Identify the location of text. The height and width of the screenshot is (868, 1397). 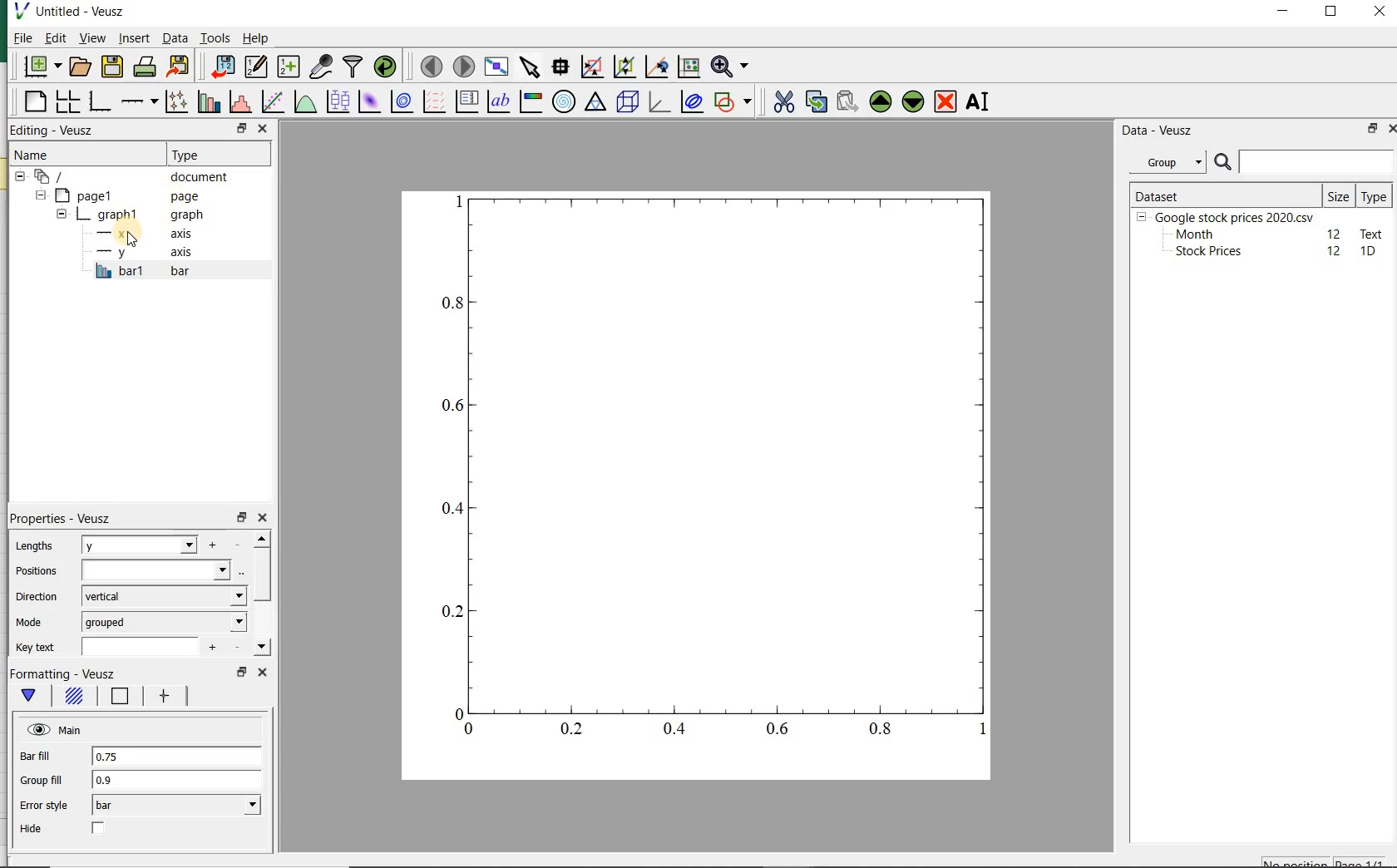
(1369, 233).